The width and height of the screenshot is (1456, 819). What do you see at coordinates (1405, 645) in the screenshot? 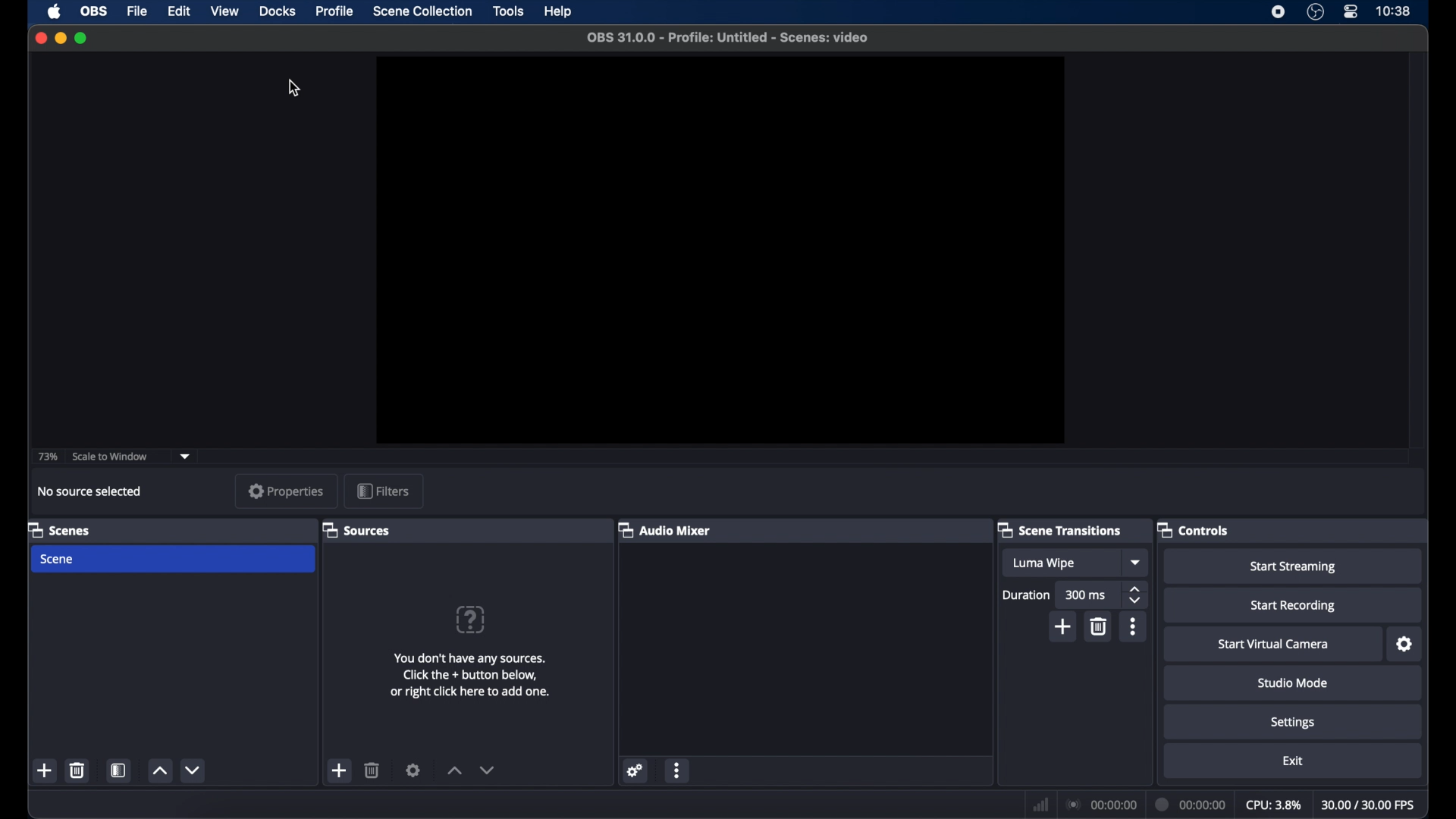
I see `settings` at bounding box center [1405, 645].